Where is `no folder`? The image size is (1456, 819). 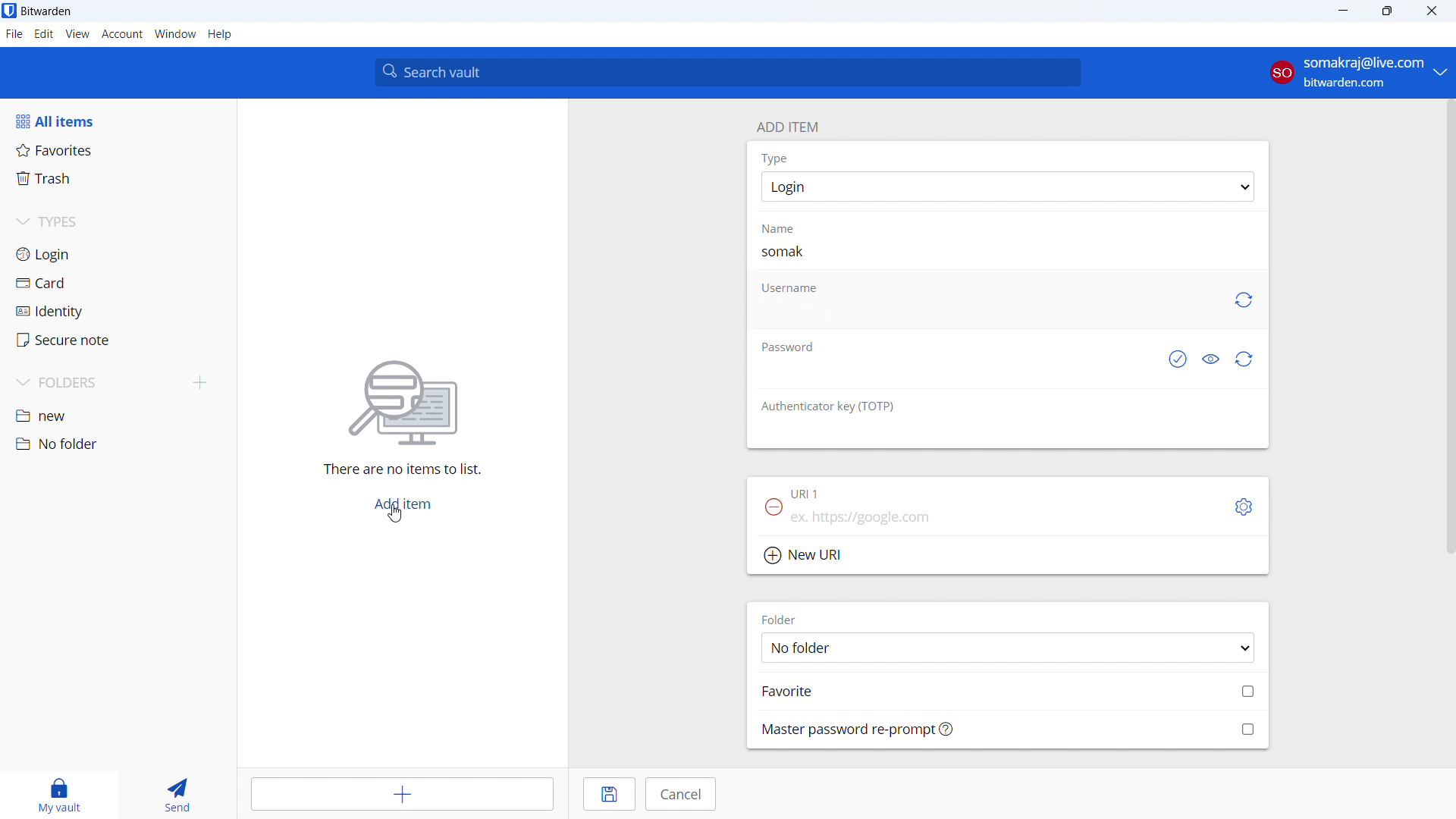 no folder is located at coordinates (116, 444).